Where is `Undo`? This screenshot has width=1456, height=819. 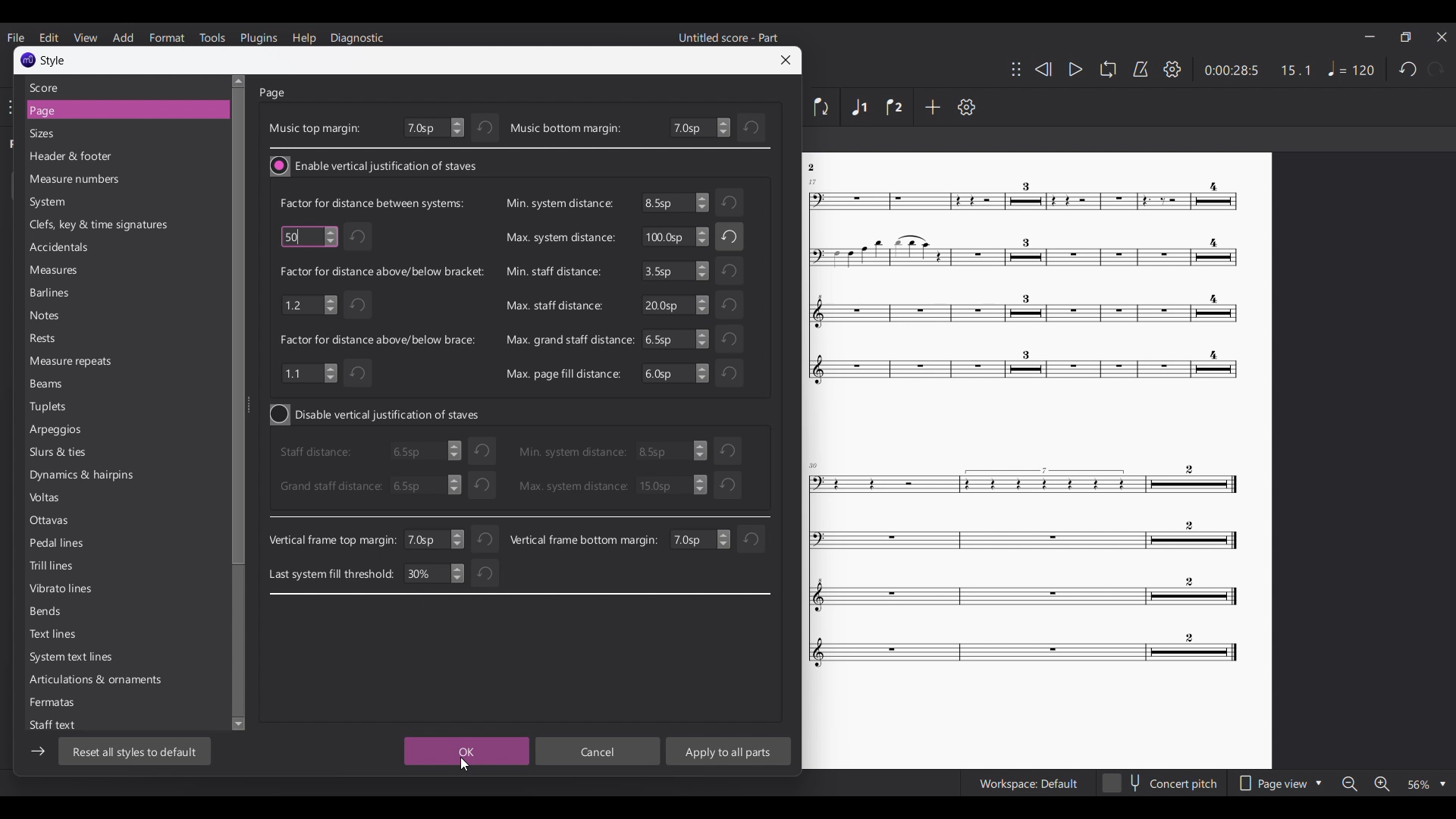 Undo is located at coordinates (361, 375).